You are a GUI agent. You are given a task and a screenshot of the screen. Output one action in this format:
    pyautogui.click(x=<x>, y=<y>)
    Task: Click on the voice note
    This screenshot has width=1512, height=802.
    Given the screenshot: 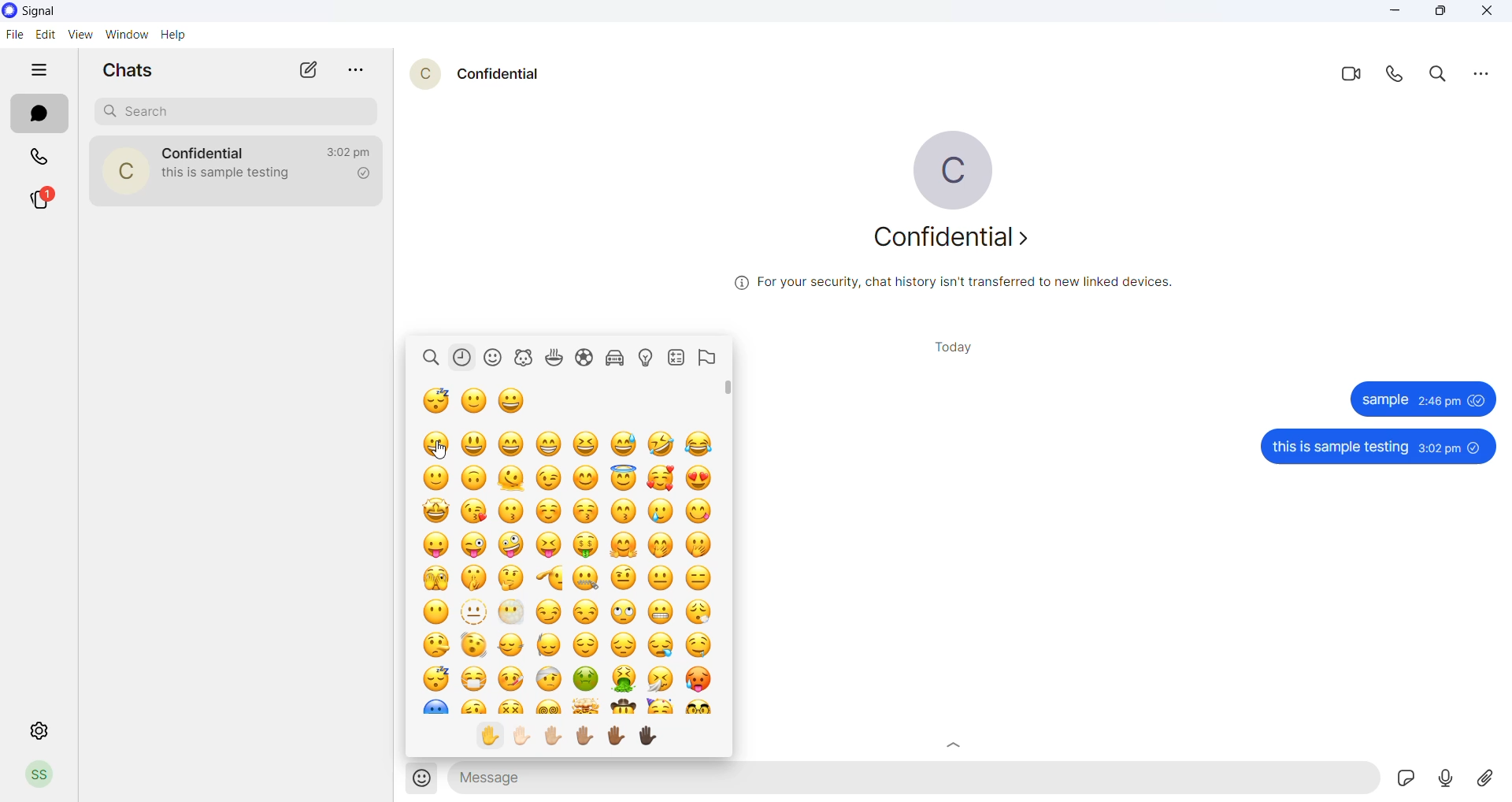 What is the action you would take?
    pyautogui.click(x=1444, y=777)
    